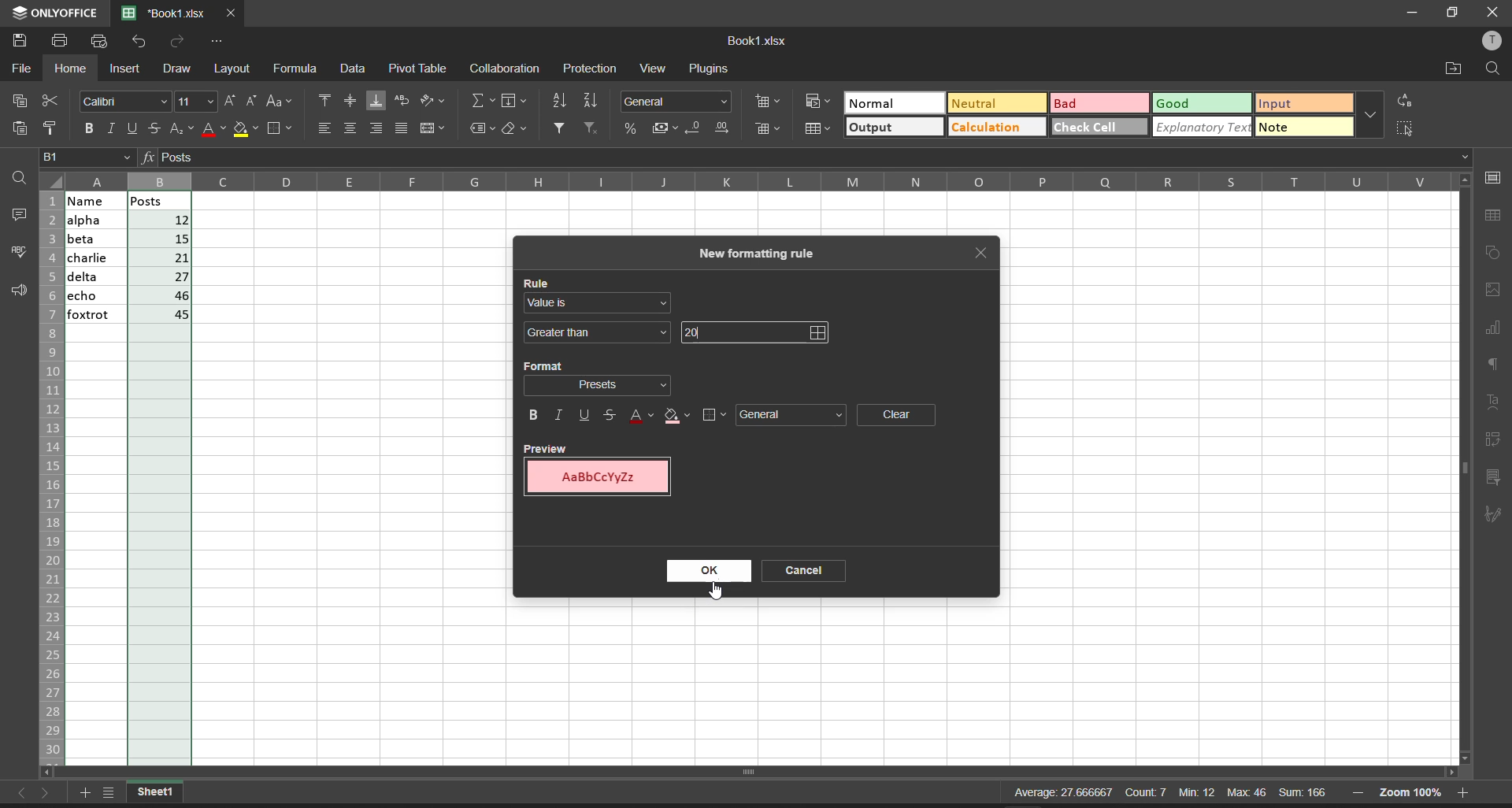  What do you see at coordinates (592, 101) in the screenshot?
I see `sort descending` at bounding box center [592, 101].